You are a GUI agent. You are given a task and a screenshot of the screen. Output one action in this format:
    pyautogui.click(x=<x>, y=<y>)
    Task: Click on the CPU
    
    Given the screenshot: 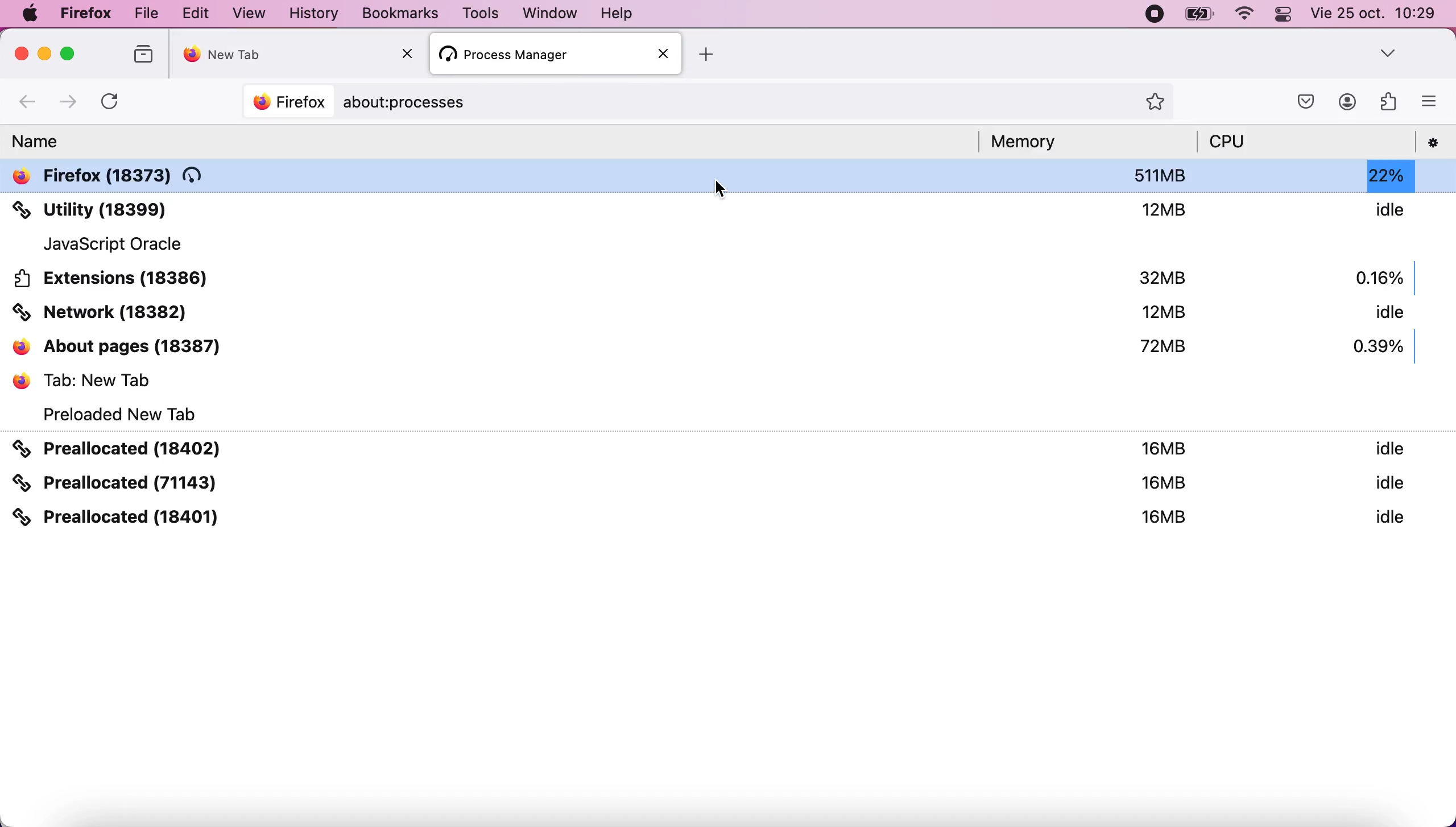 What is the action you would take?
    pyautogui.click(x=1230, y=142)
    